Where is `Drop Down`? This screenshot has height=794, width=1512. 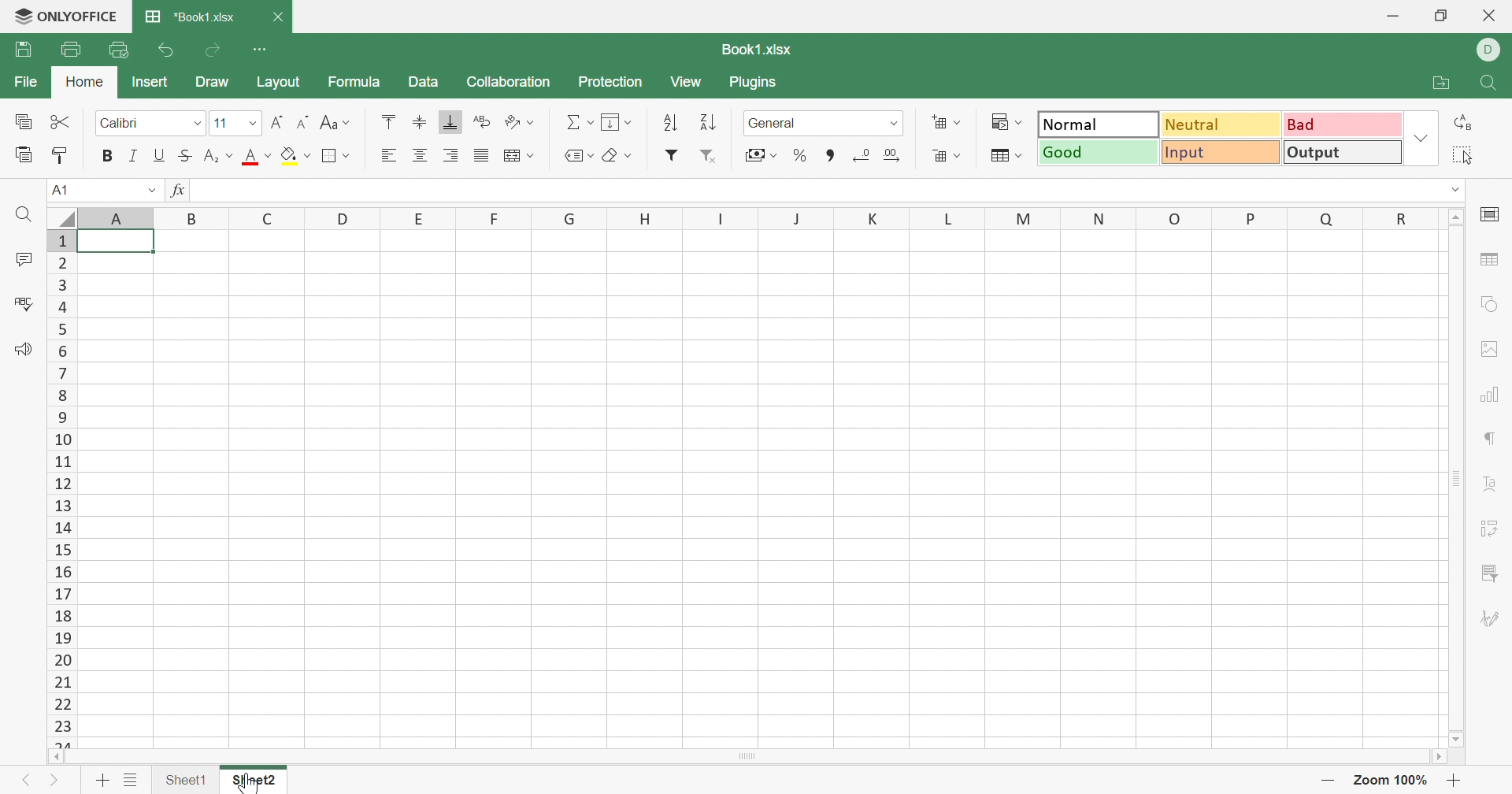 Drop Down is located at coordinates (349, 124).